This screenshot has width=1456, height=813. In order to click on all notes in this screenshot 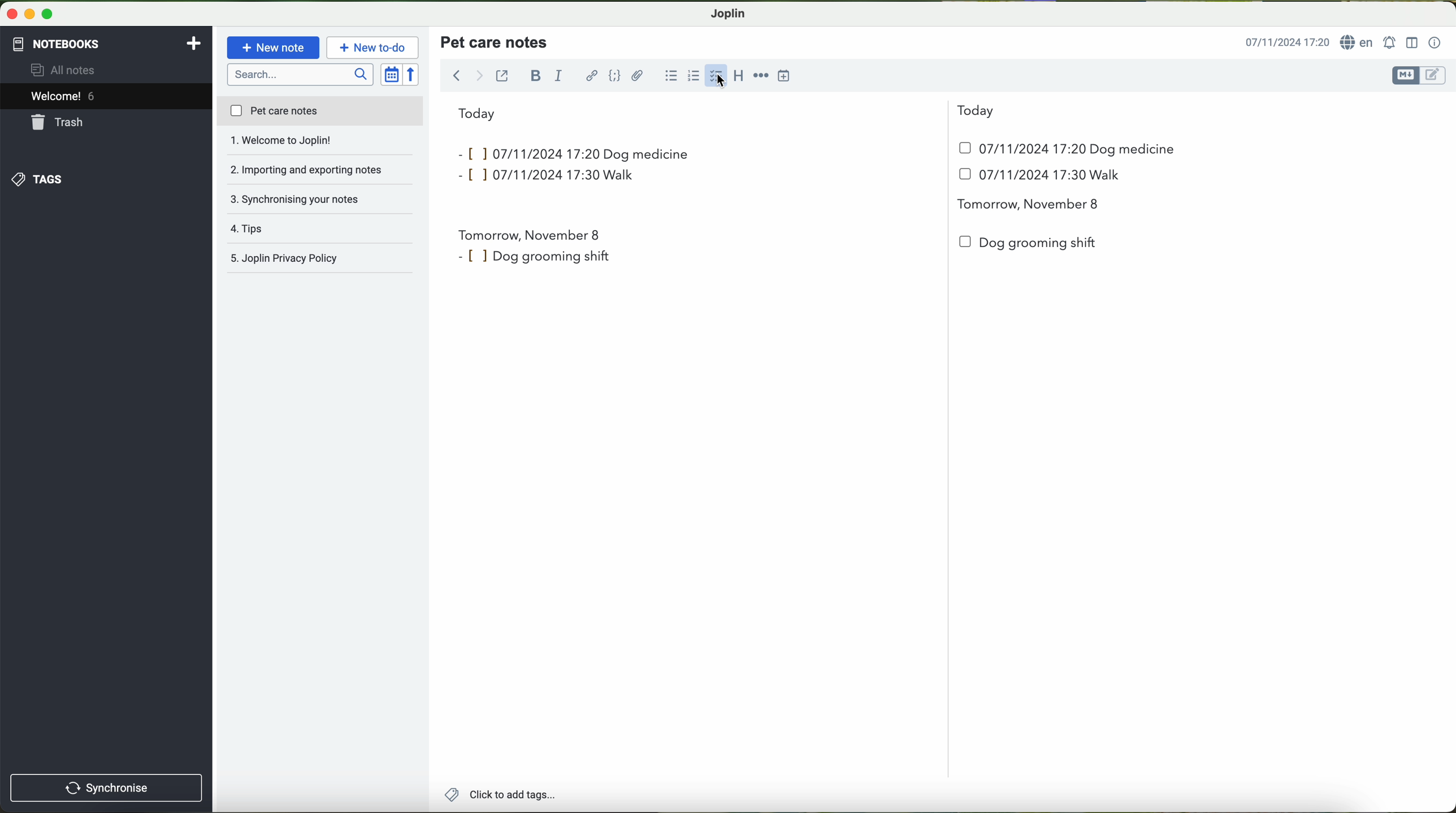, I will do `click(66, 71)`.